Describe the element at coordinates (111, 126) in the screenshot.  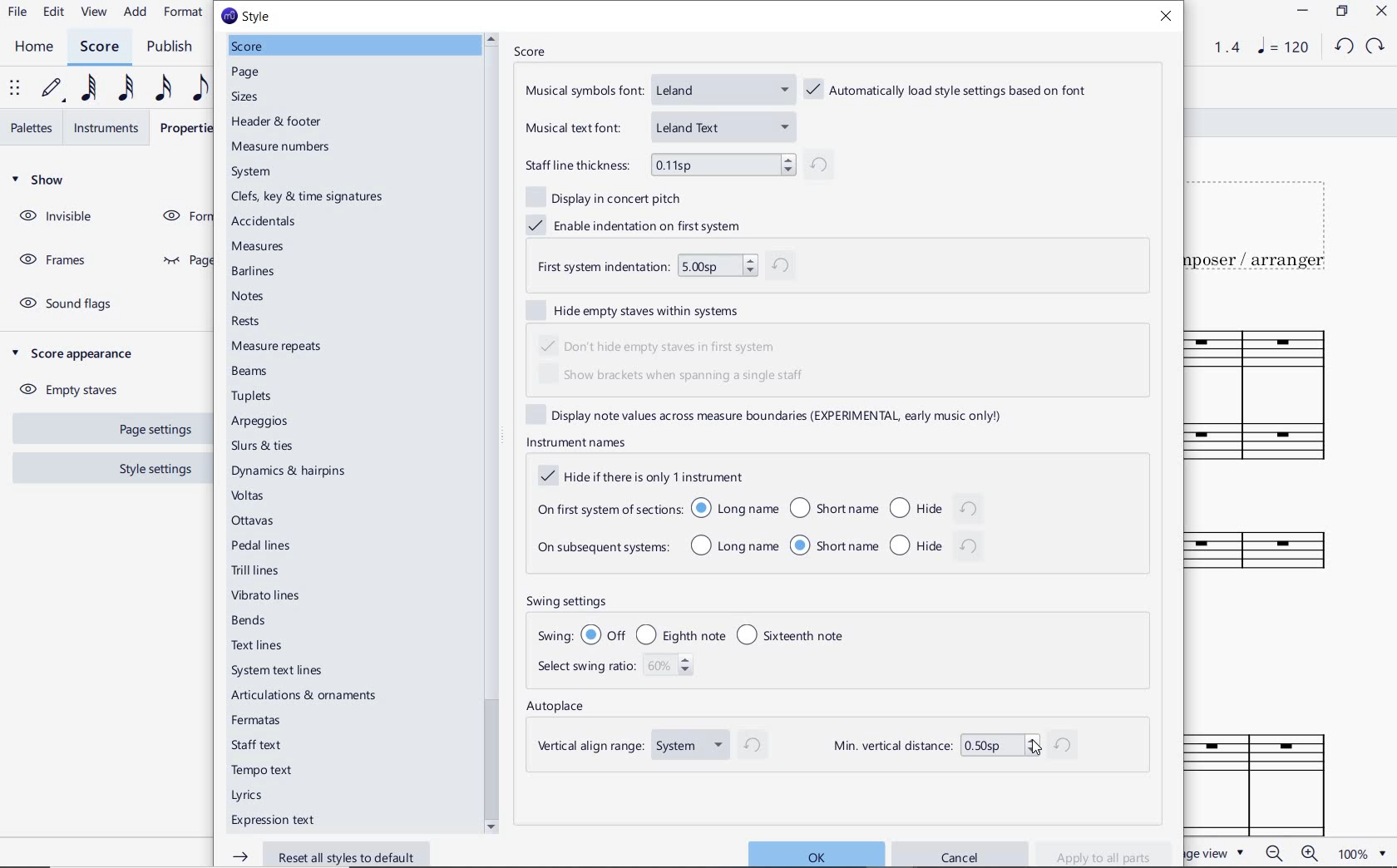
I see `INSTRUMENTS` at that location.